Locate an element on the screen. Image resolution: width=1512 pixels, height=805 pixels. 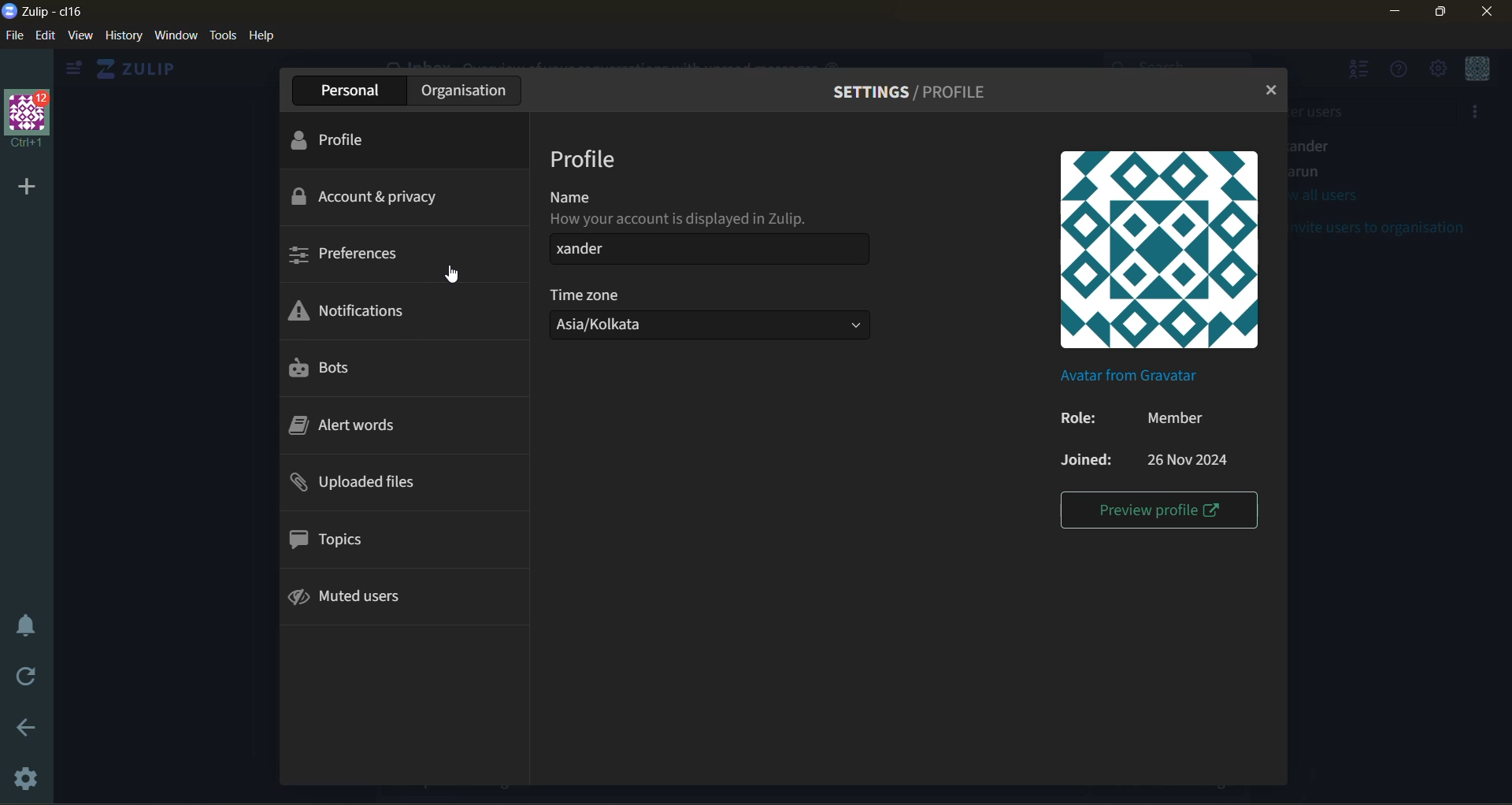
file is located at coordinates (13, 36).